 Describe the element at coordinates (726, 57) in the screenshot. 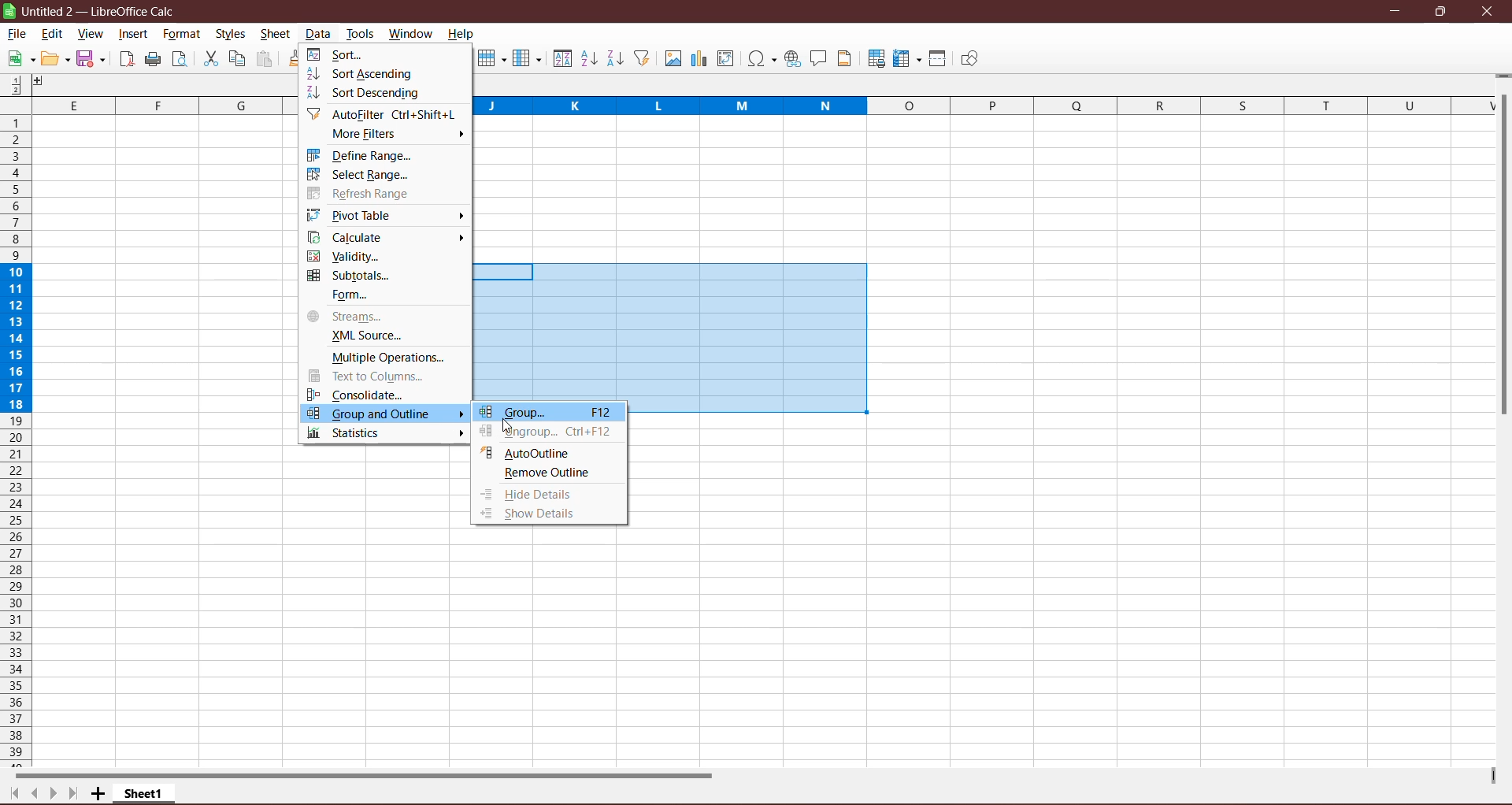

I see `Insert or Edit Pivot table` at that location.